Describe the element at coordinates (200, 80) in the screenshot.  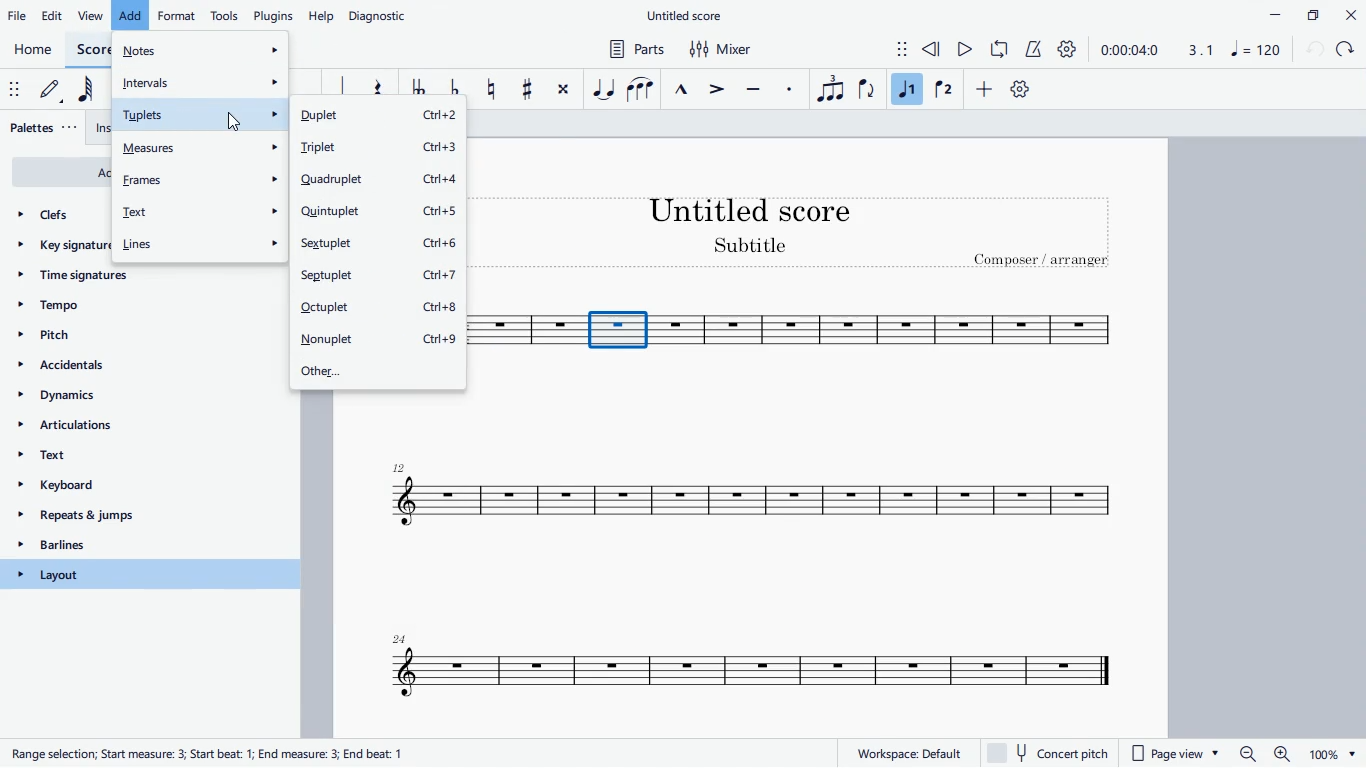
I see `intervals` at that location.